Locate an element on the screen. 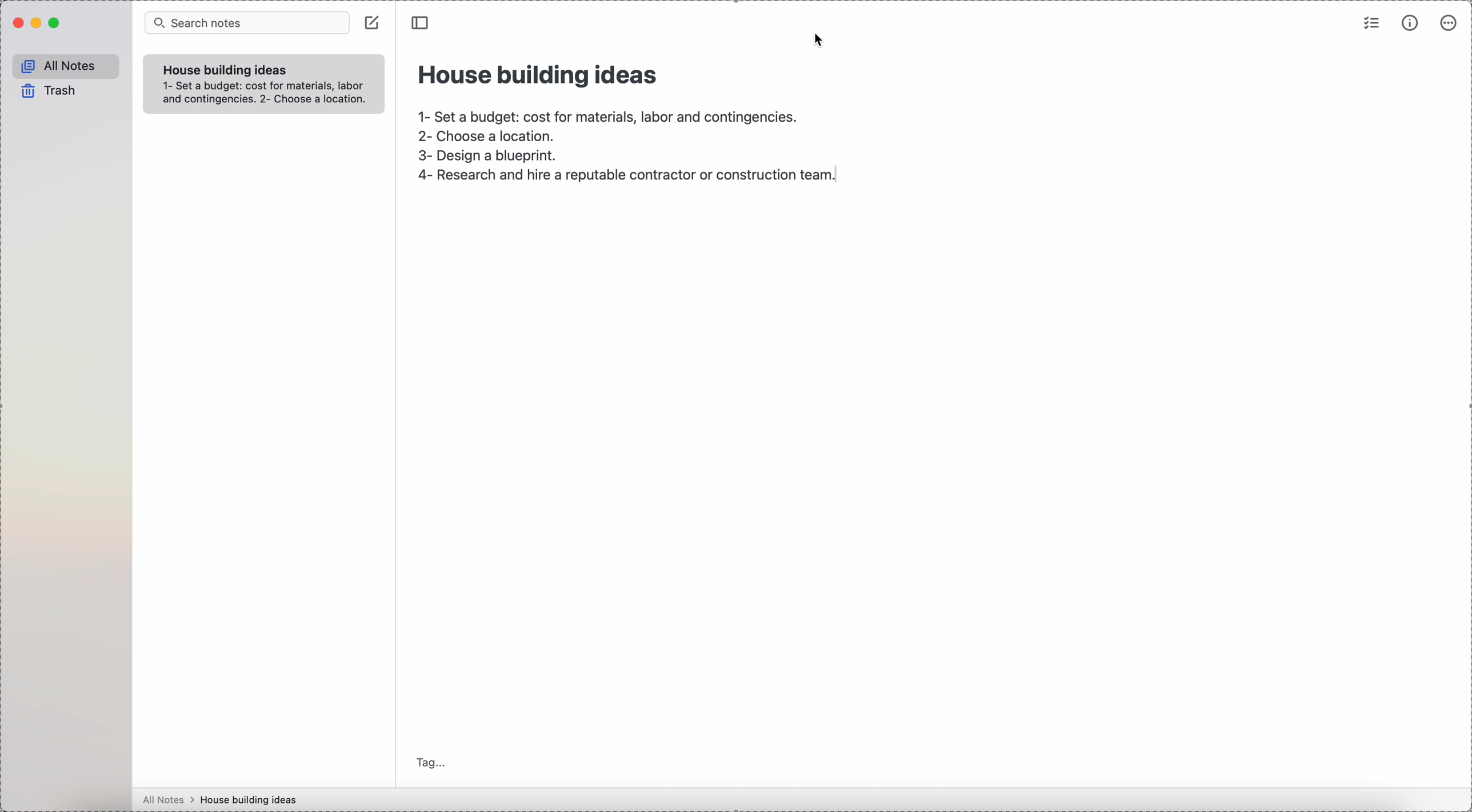 Image resolution: width=1472 pixels, height=812 pixels. choose a location is located at coordinates (491, 138).